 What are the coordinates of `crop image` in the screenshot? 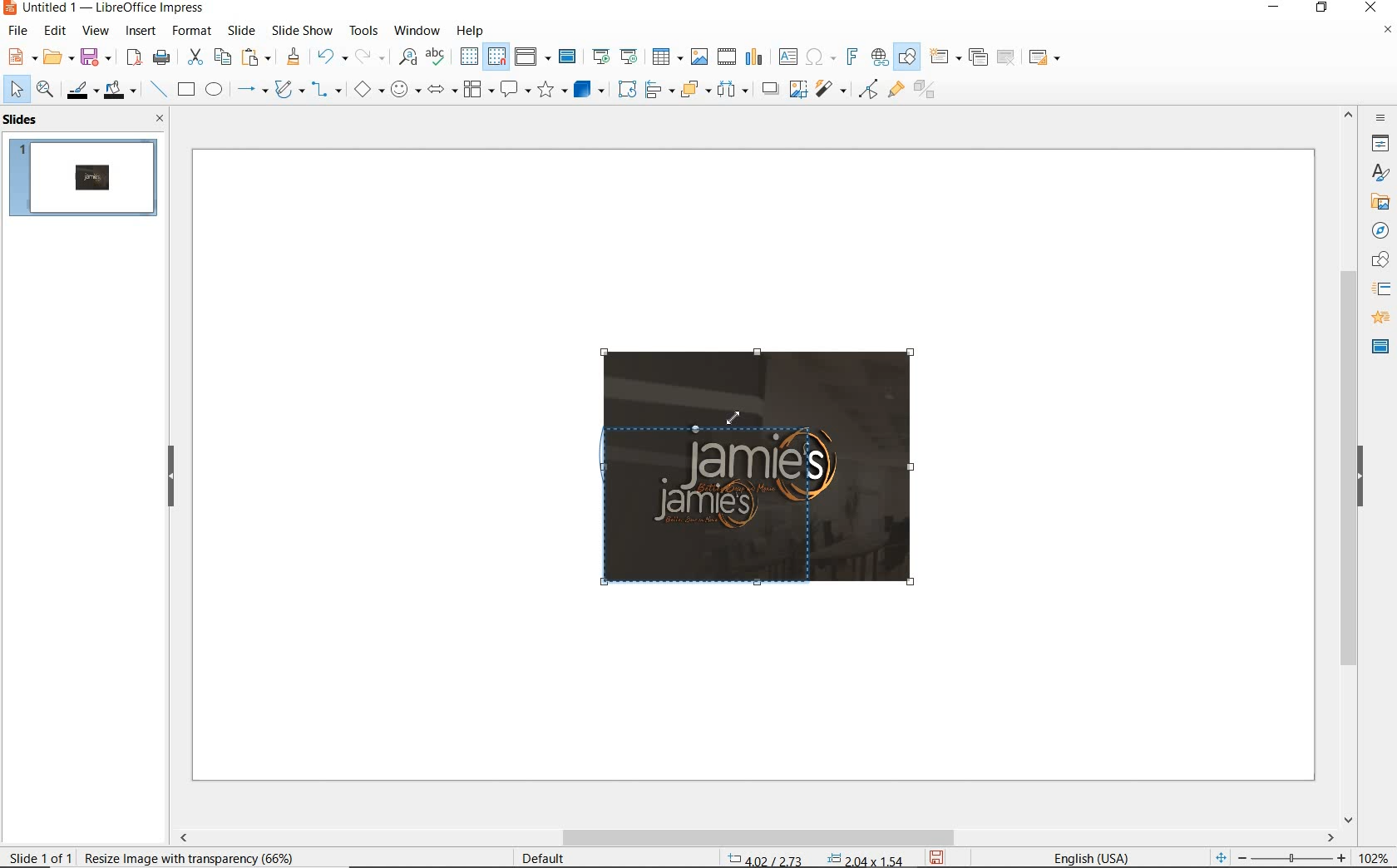 It's located at (797, 87).